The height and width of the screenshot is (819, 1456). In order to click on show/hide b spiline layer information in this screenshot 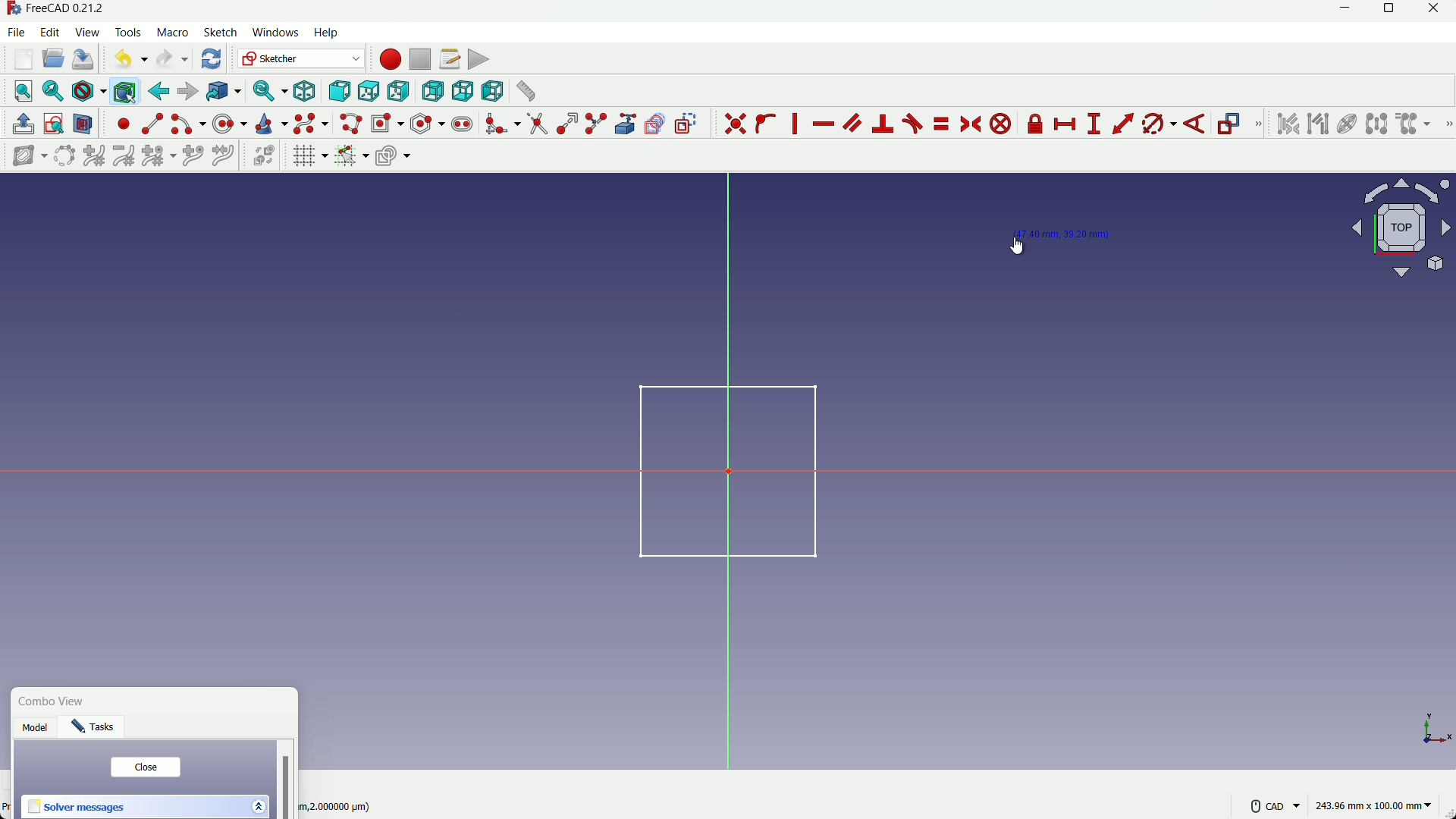, I will do `click(23, 156)`.